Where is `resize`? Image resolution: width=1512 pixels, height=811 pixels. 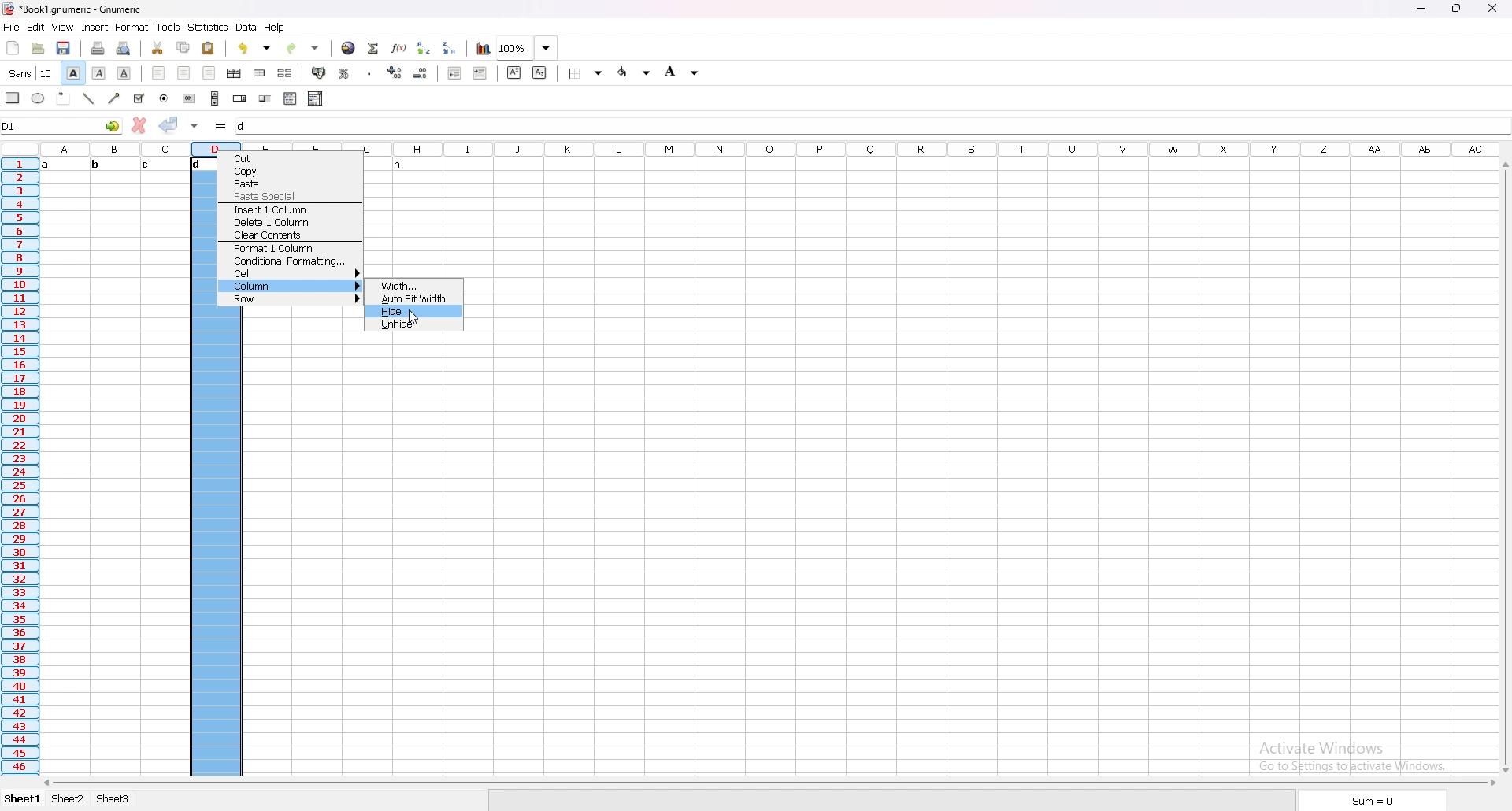
resize is located at coordinates (1455, 9).